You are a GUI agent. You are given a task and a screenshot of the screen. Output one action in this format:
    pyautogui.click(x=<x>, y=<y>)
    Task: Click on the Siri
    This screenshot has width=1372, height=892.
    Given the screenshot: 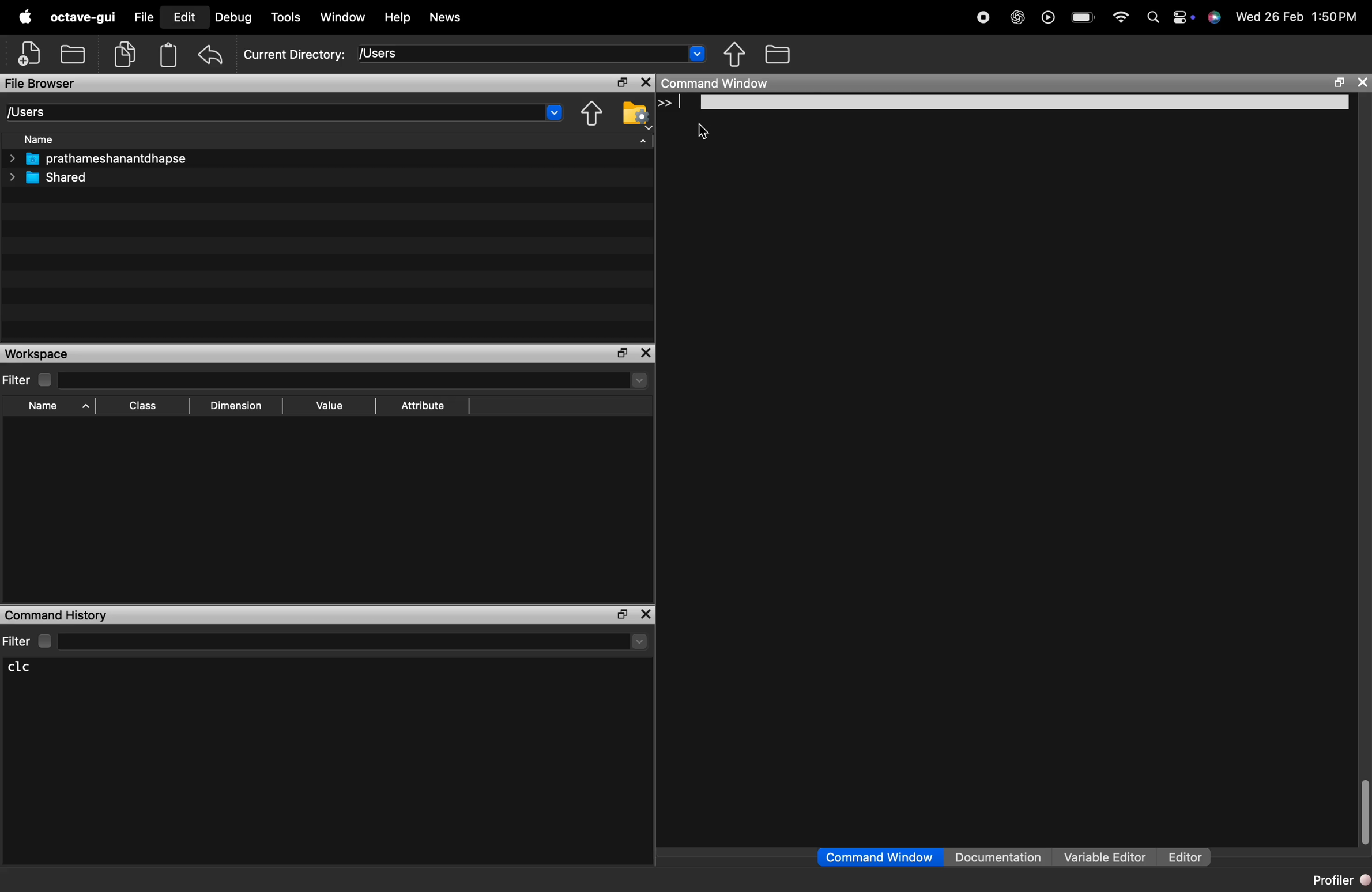 What is the action you would take?
    pyautogui.click(x=1213, y=17)
    